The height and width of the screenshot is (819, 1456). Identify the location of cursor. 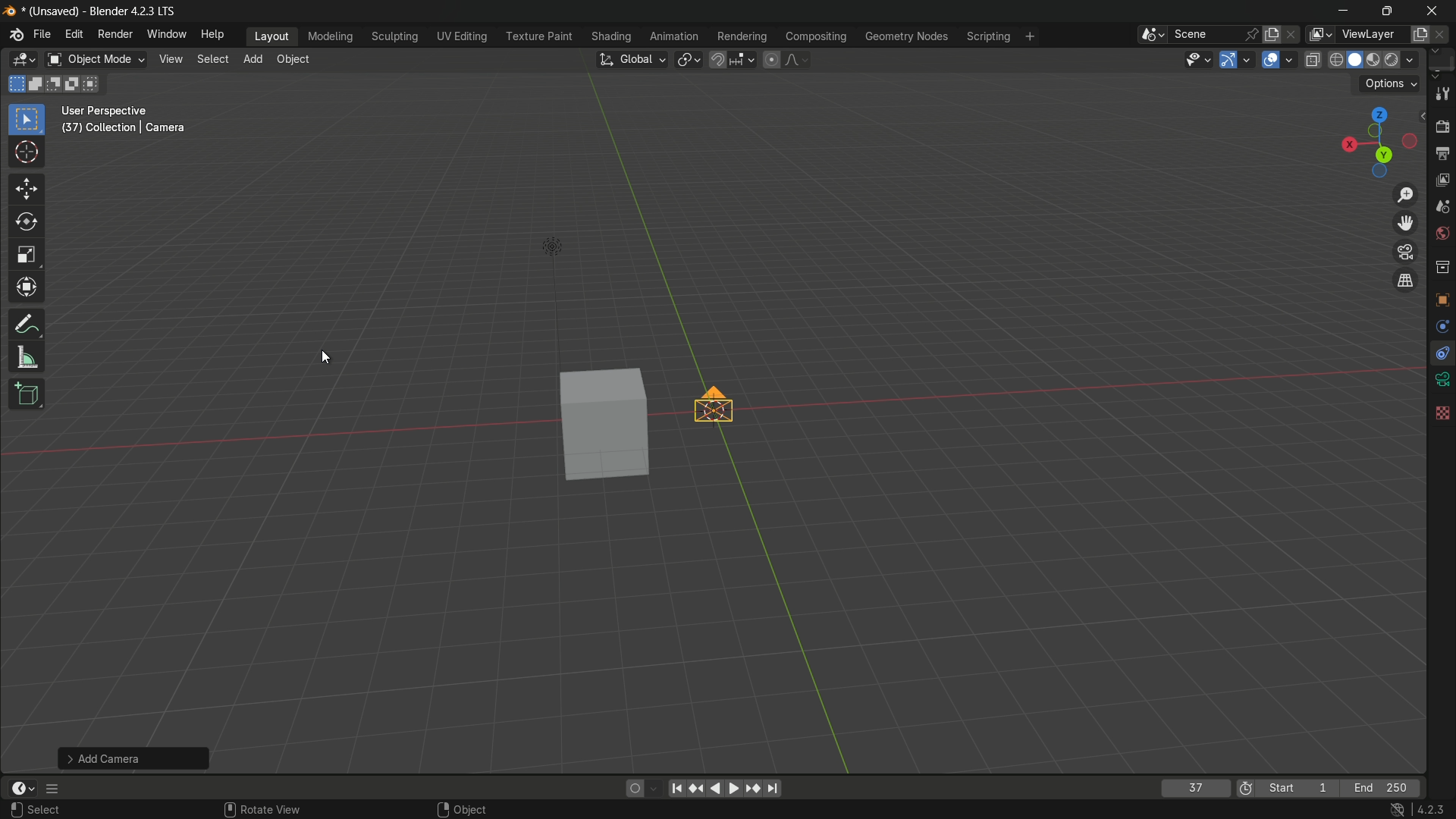
(25, 154).